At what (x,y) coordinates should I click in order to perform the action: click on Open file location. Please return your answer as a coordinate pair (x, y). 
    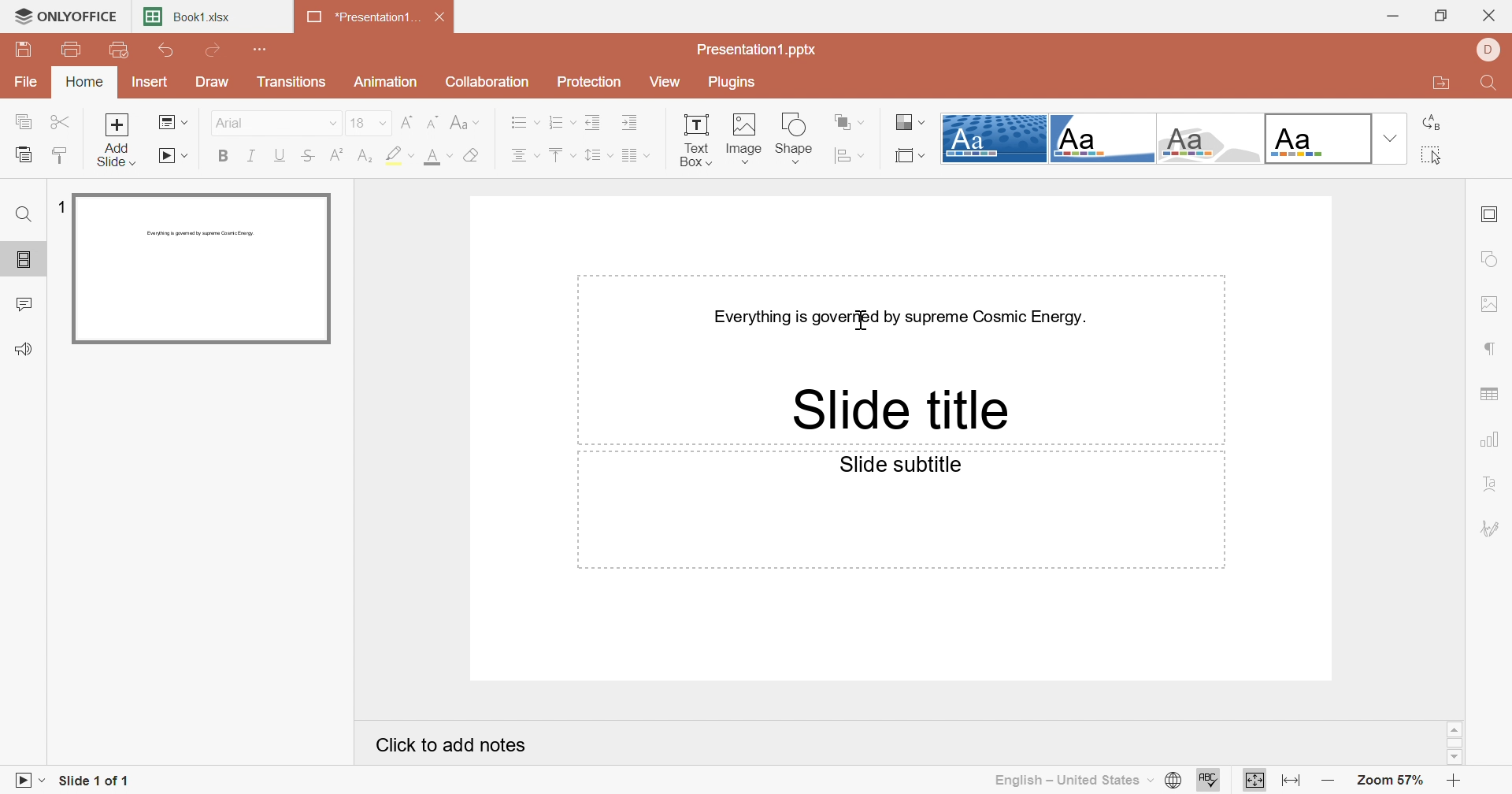
    Looking at the image, I should click on (1441, 83).